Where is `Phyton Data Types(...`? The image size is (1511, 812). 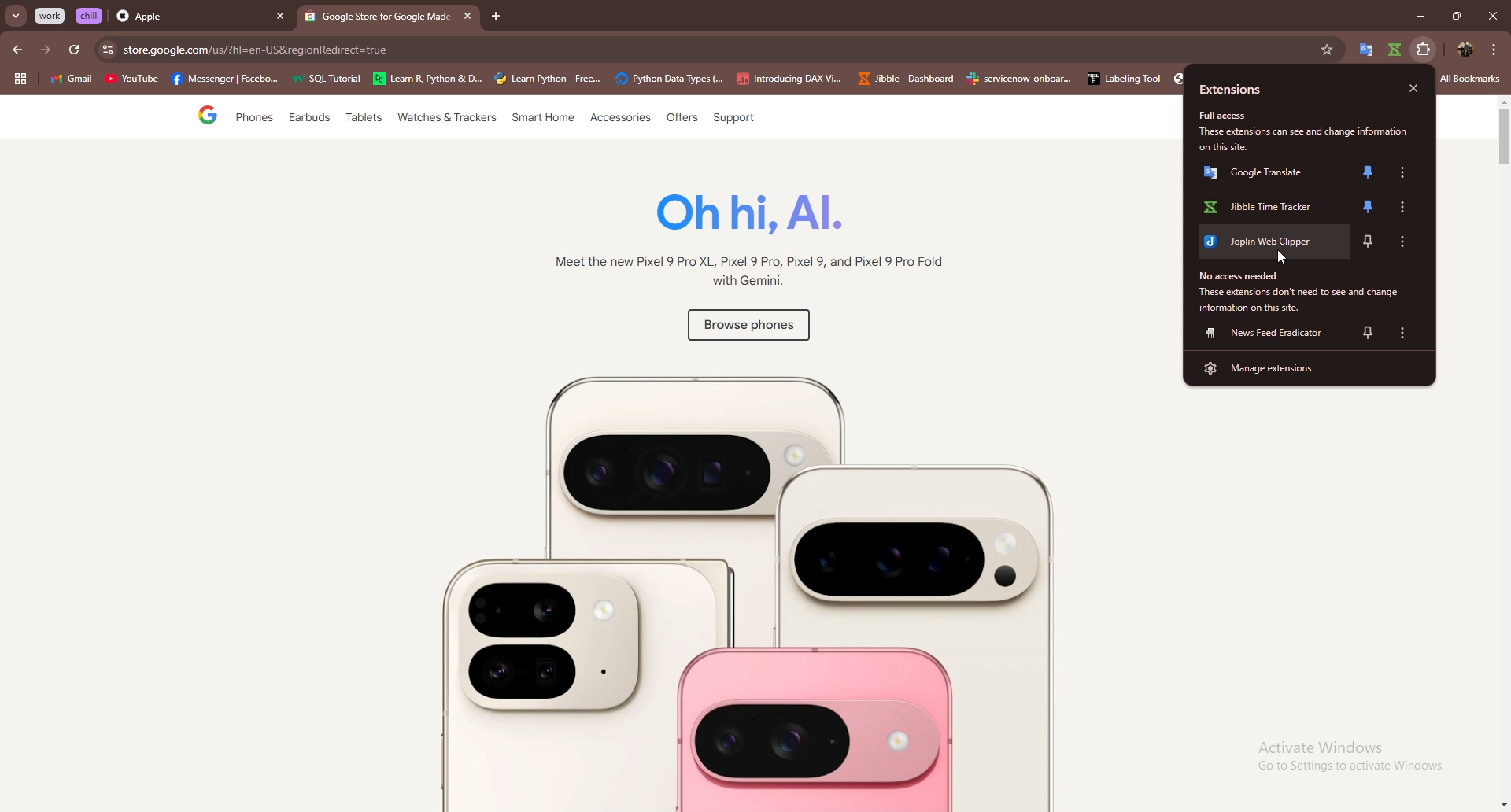 Phyton Data Types(... is located at coordinates (669, 79).